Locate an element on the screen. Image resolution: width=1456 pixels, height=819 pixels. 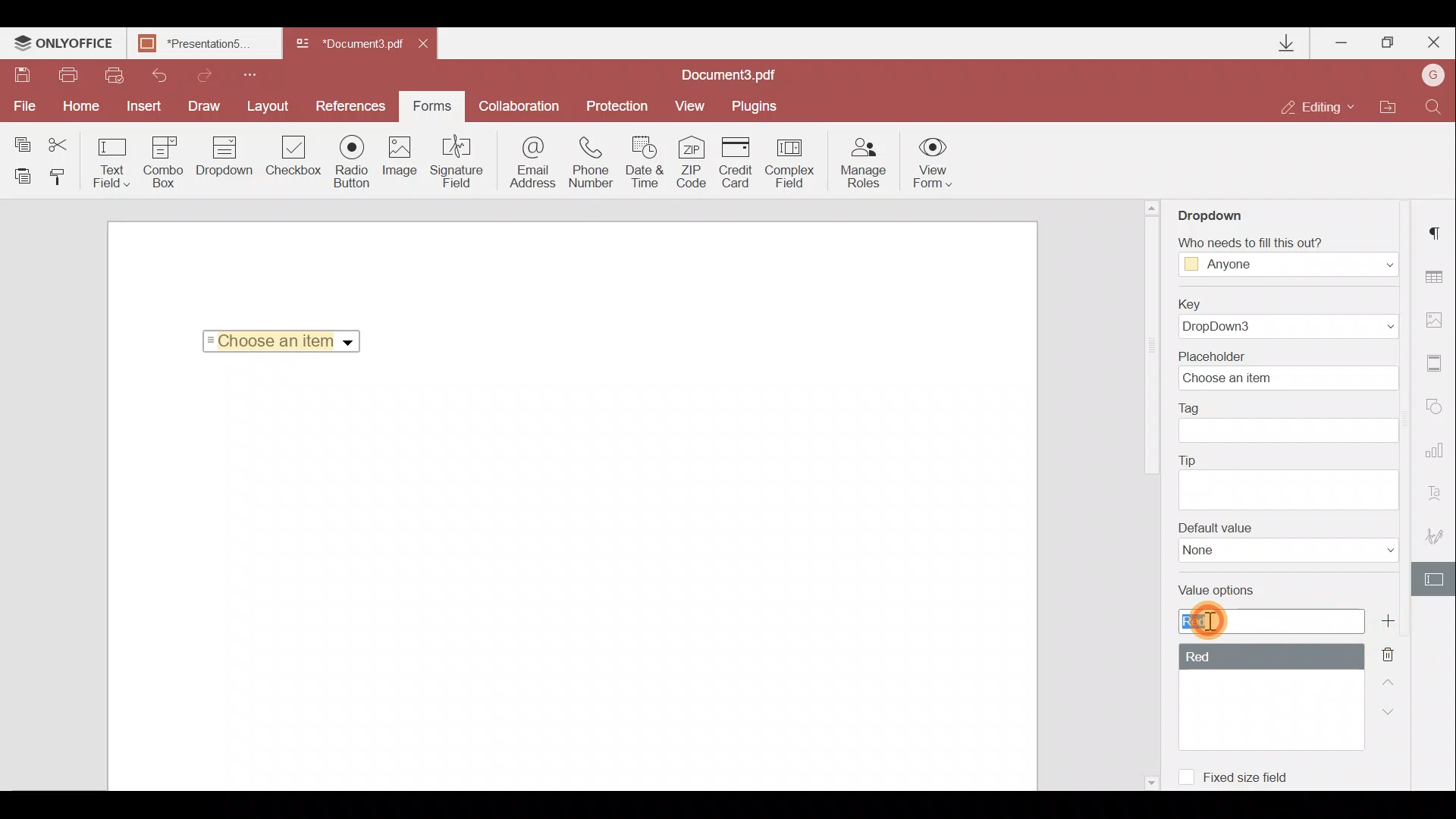
Open file location is located at coordinates (1389, 106).